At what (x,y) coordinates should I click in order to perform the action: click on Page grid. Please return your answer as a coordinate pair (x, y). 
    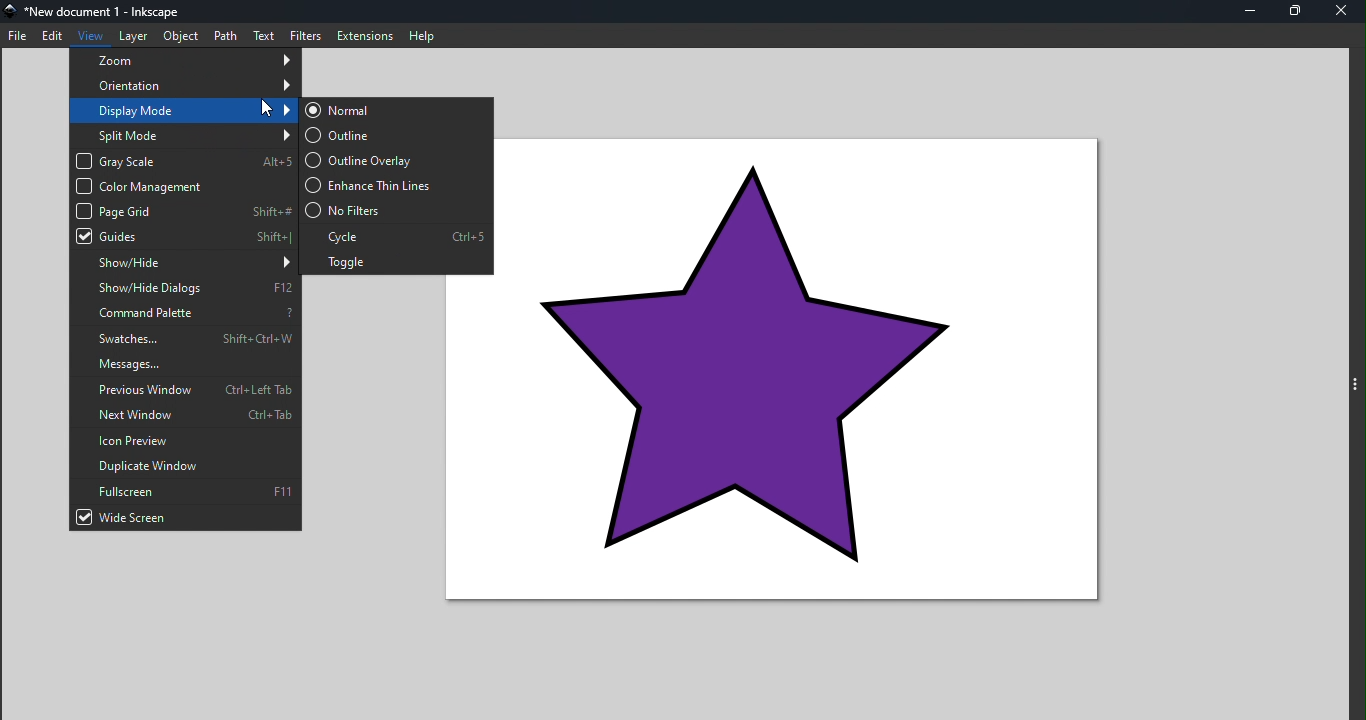
    Looking at the image, I should click on (183, 210).